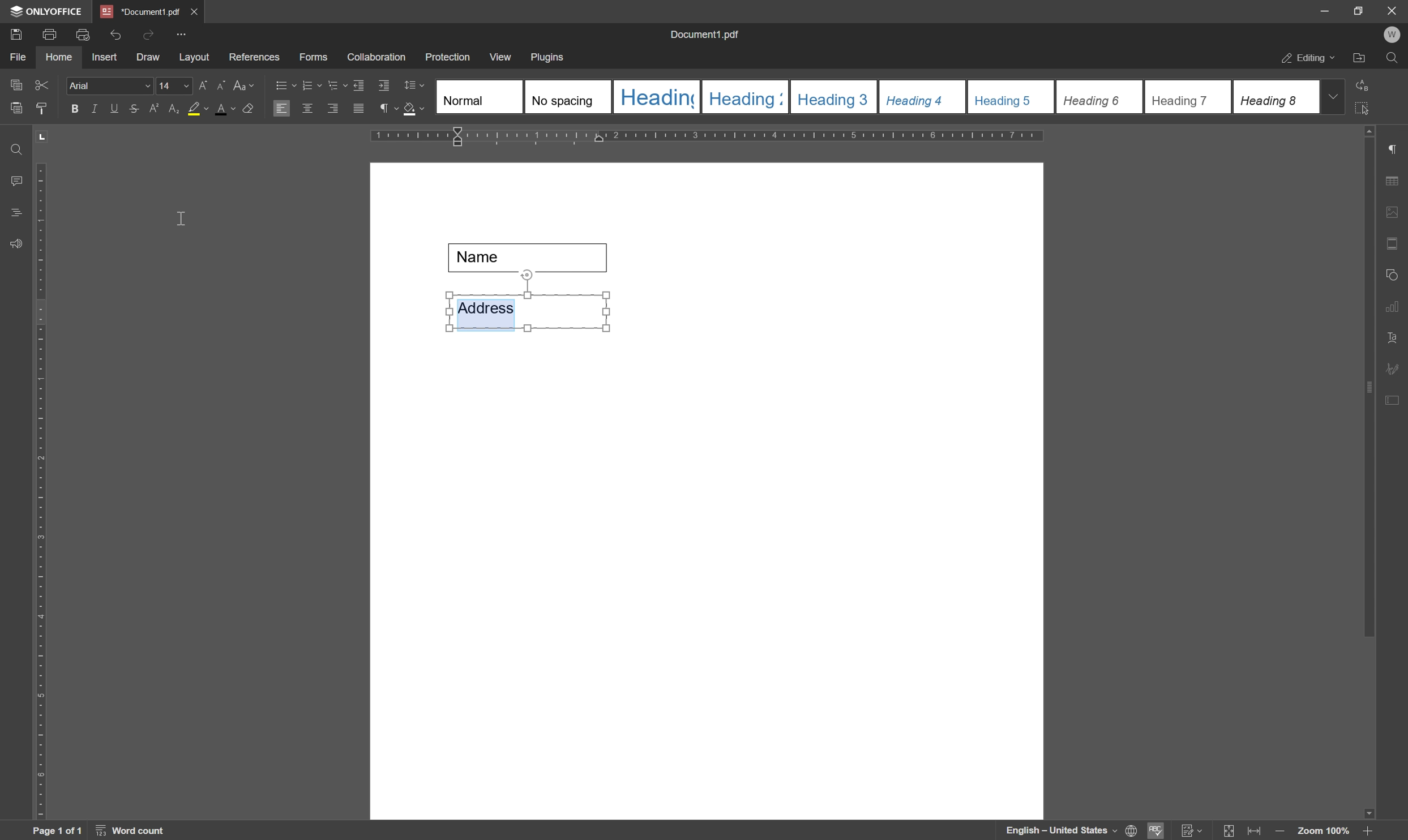 The image size is (1408, 840). I want to click on protection, so click(448, 57).